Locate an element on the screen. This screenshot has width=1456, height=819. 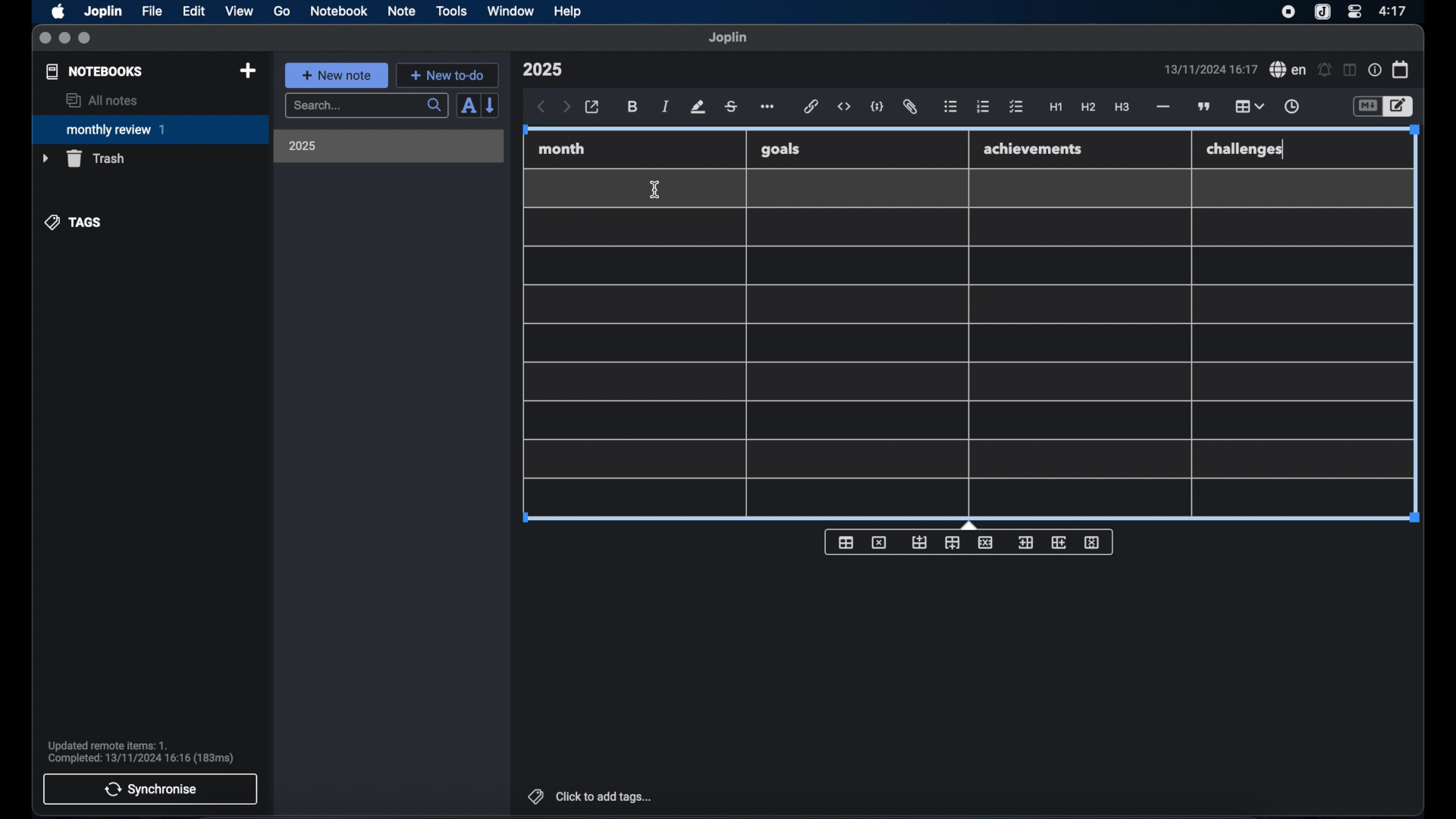
horizontal rule is located at coordinates (1162, 107).